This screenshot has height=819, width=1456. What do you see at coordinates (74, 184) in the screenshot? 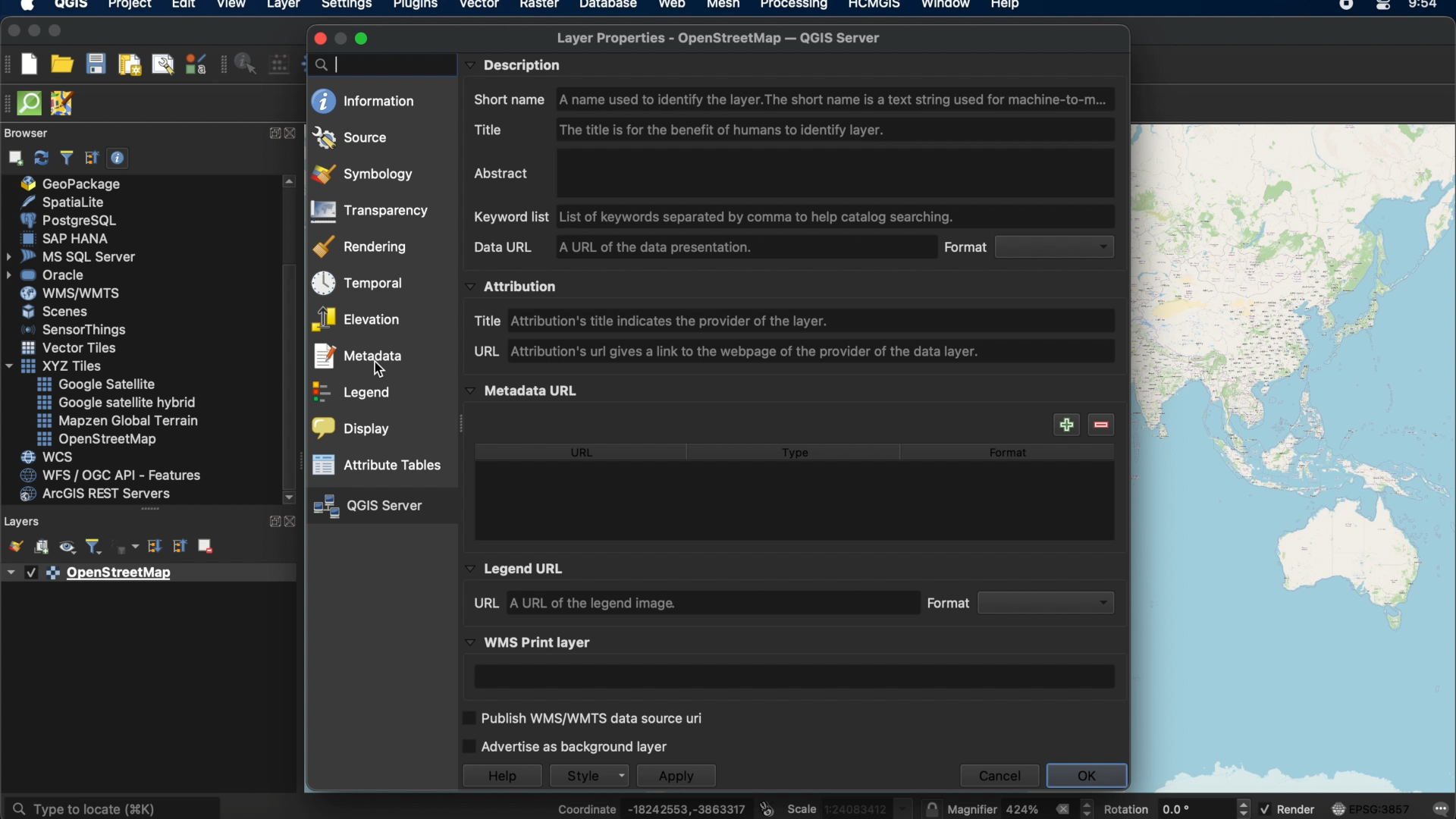
I see `geo package` at bounding box center [74, 184].